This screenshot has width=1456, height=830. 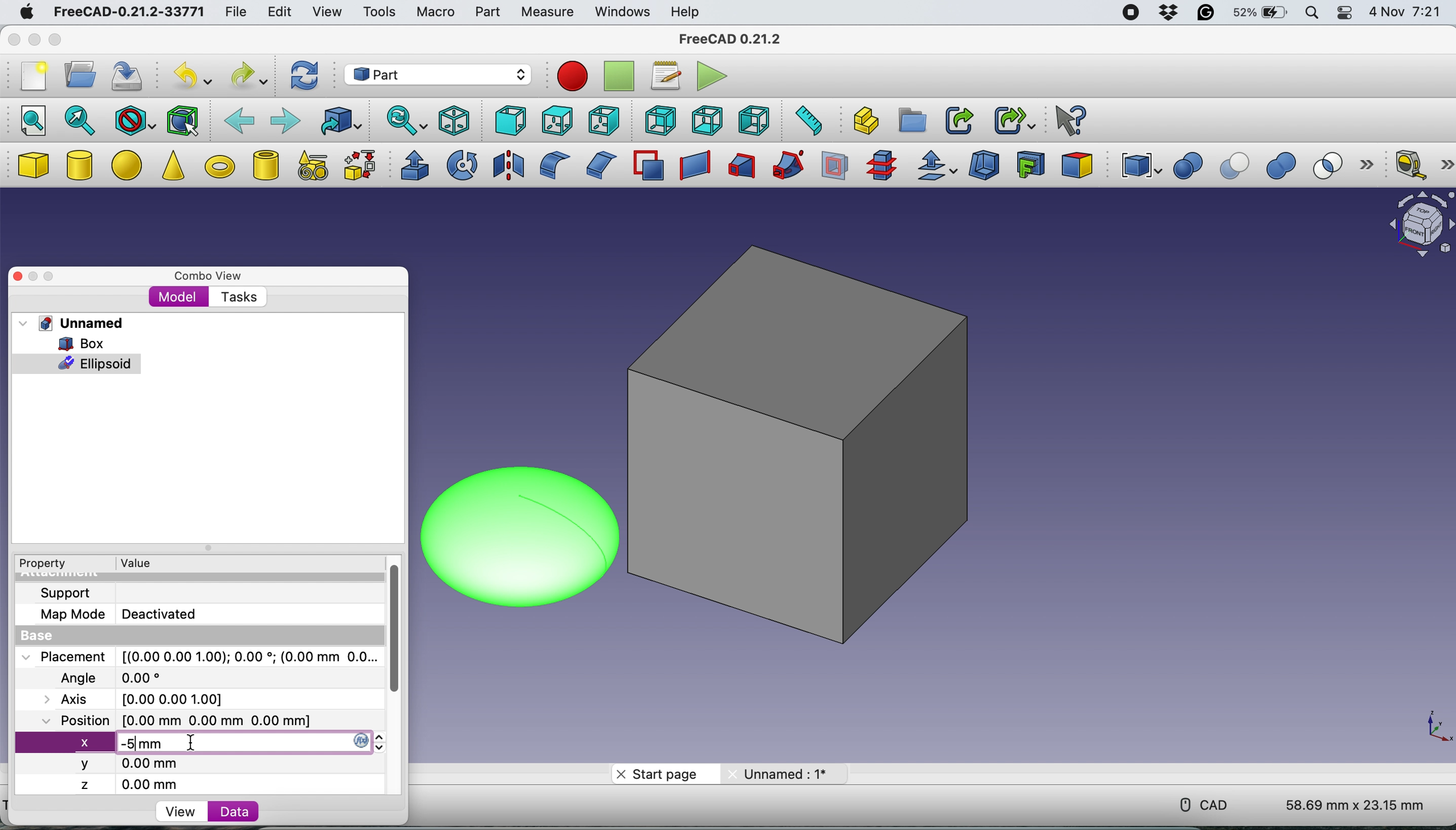 I want to click on offset, so click(x=937, y=167).